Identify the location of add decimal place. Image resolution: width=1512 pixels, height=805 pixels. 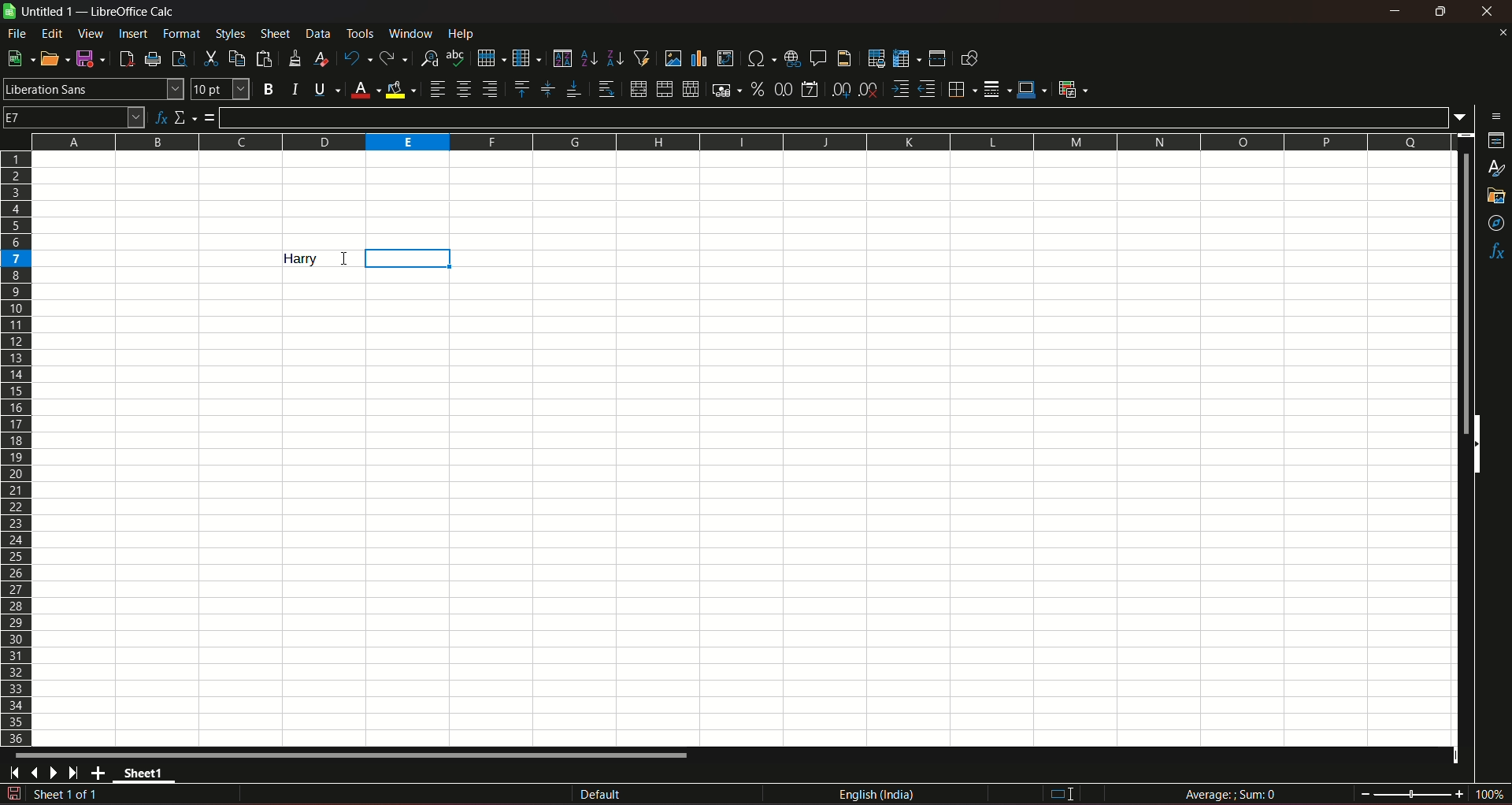
(838, 90).